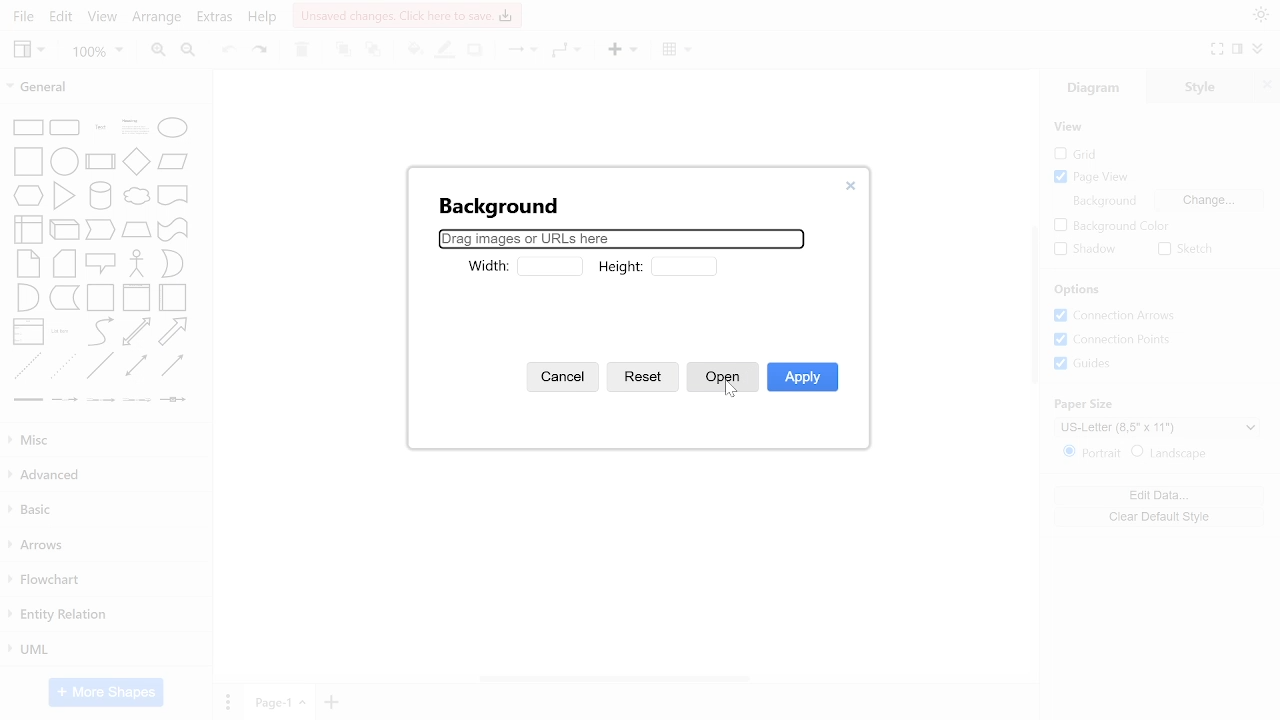  Describe the element at coordinates (263, 20) in the screenshot. I see `help` at that location.